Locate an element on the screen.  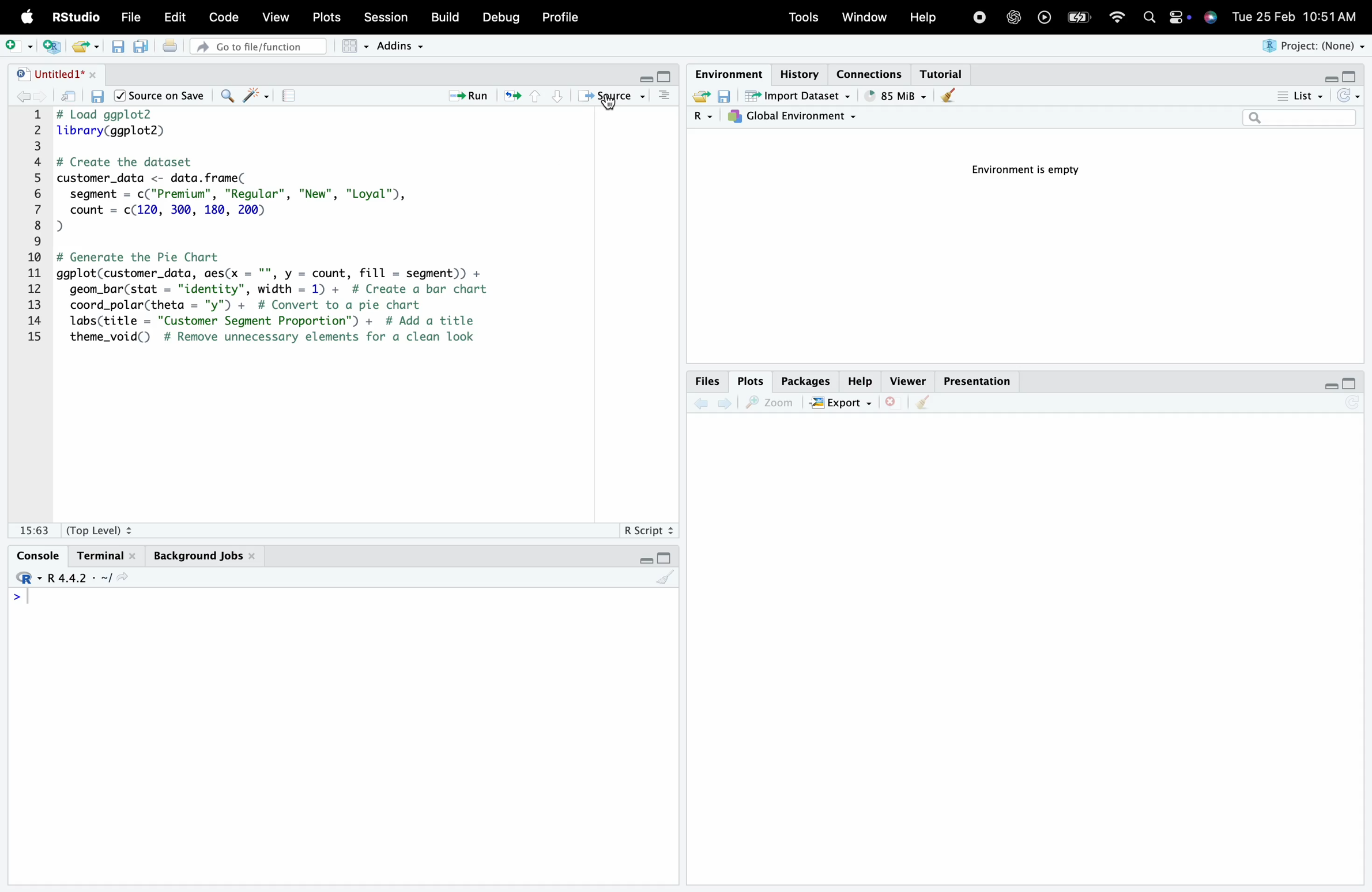
Run is located at coordinates (469, 96).